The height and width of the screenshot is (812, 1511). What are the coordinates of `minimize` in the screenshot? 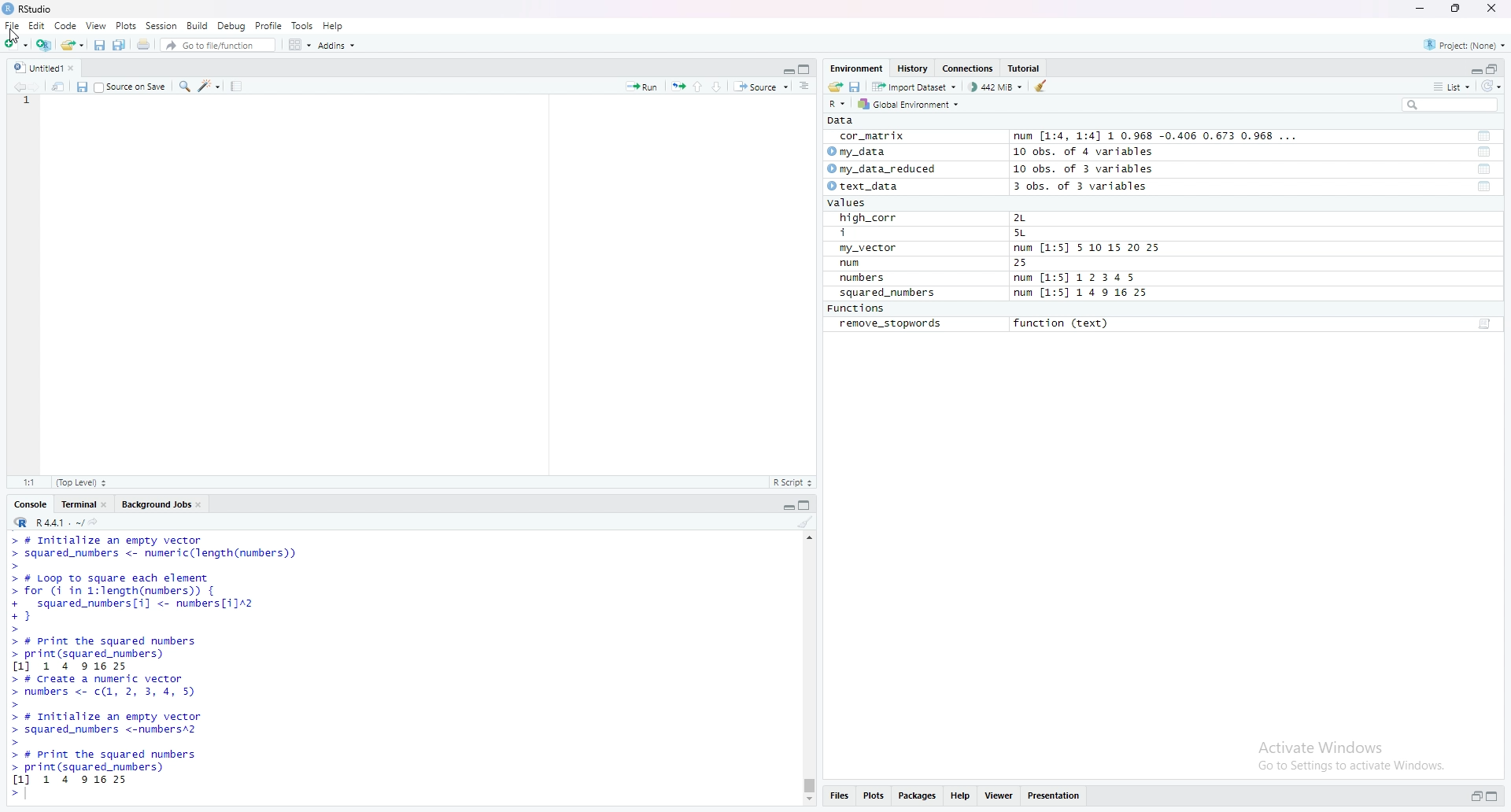 It's located at (1418, 9).